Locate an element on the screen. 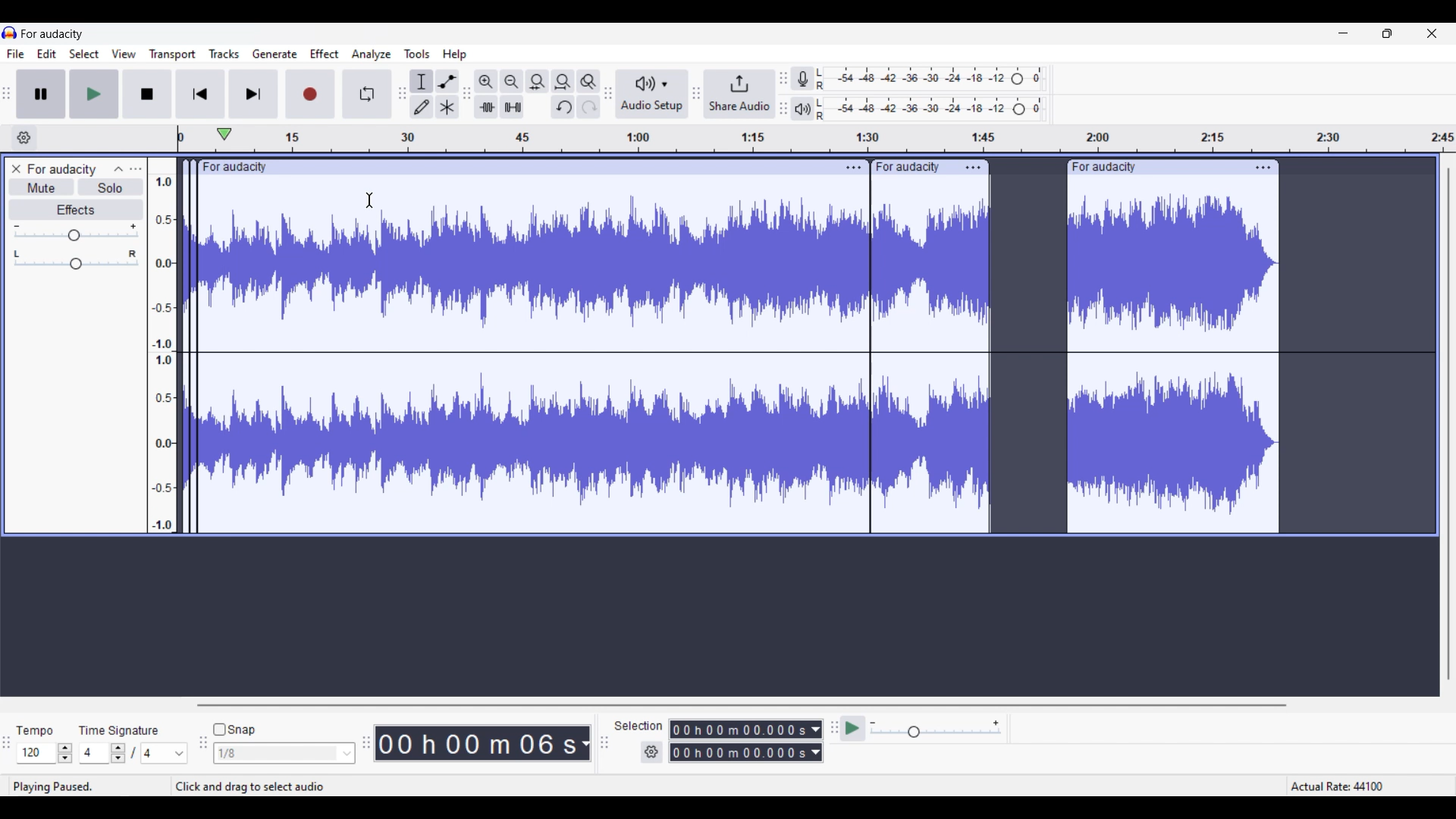 This screenshot has width=1456, height=819. Stop is located at coordinates (146, 94).